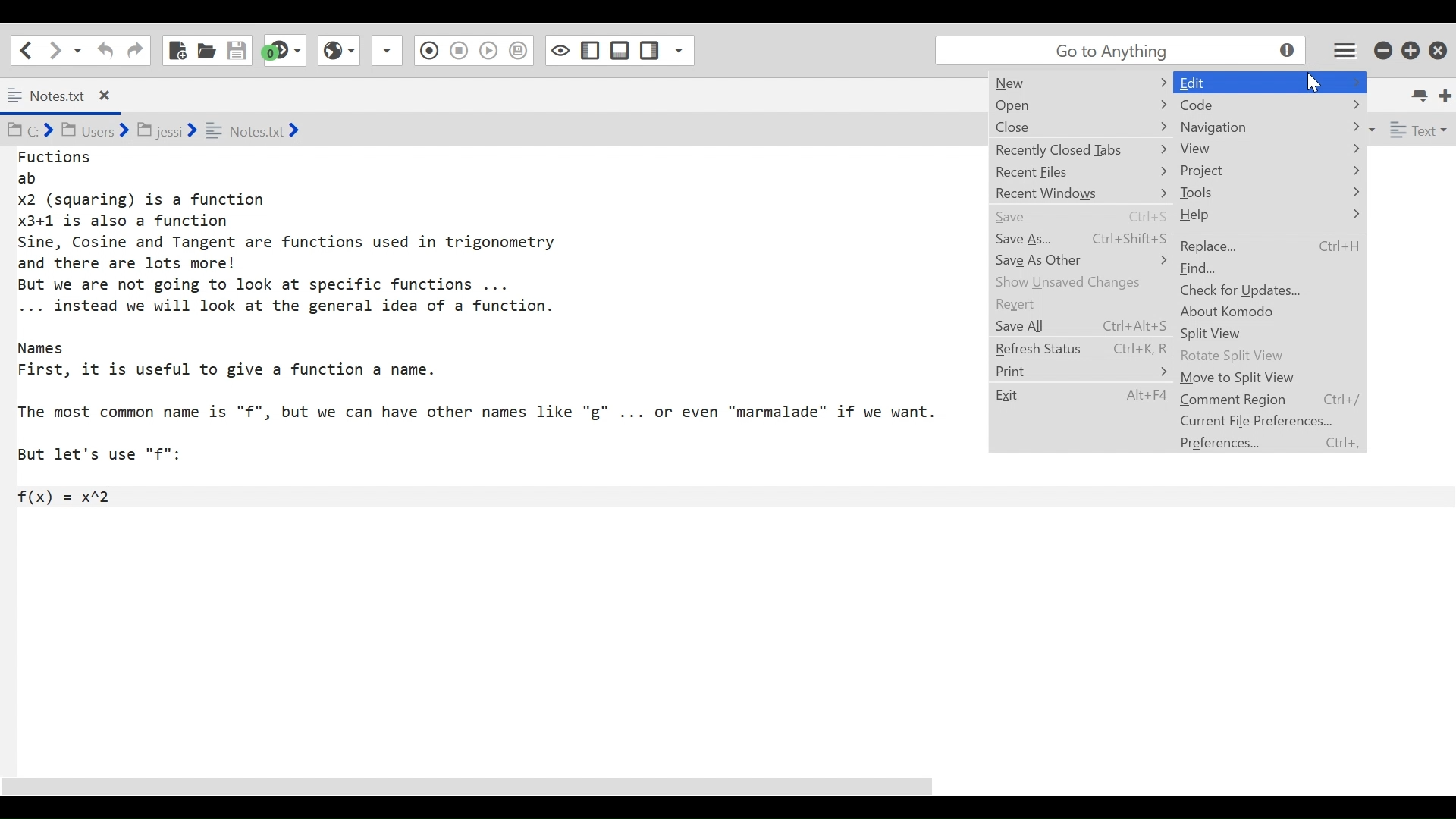 Image resolution: width=1456 pixels, height=819 pixels. Describe the element at coordinates (1346, 49) in the screenshot. I see `Application menu` at that location.